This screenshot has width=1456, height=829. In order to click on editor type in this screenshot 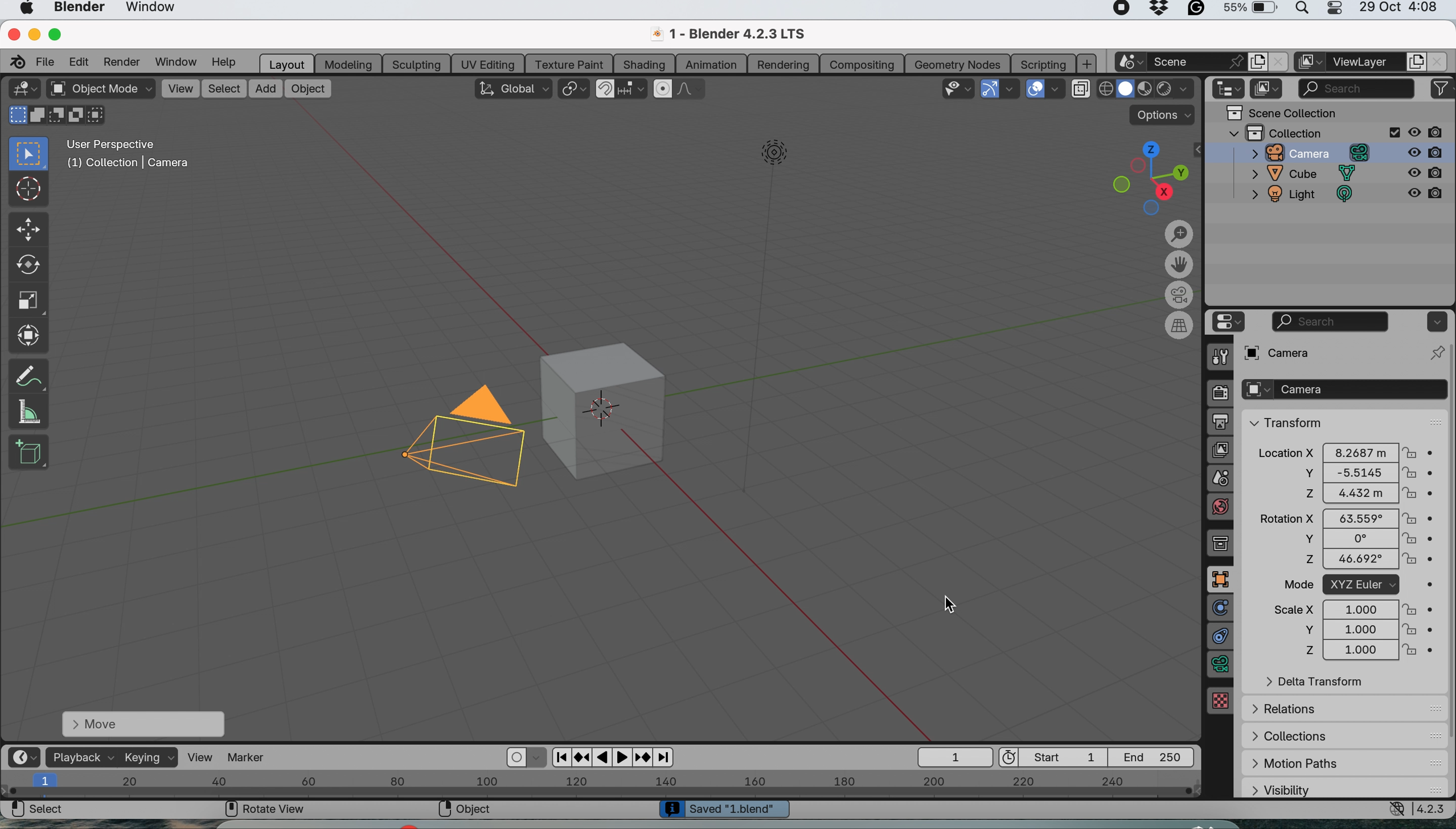, I will do `click(27, 756)`.